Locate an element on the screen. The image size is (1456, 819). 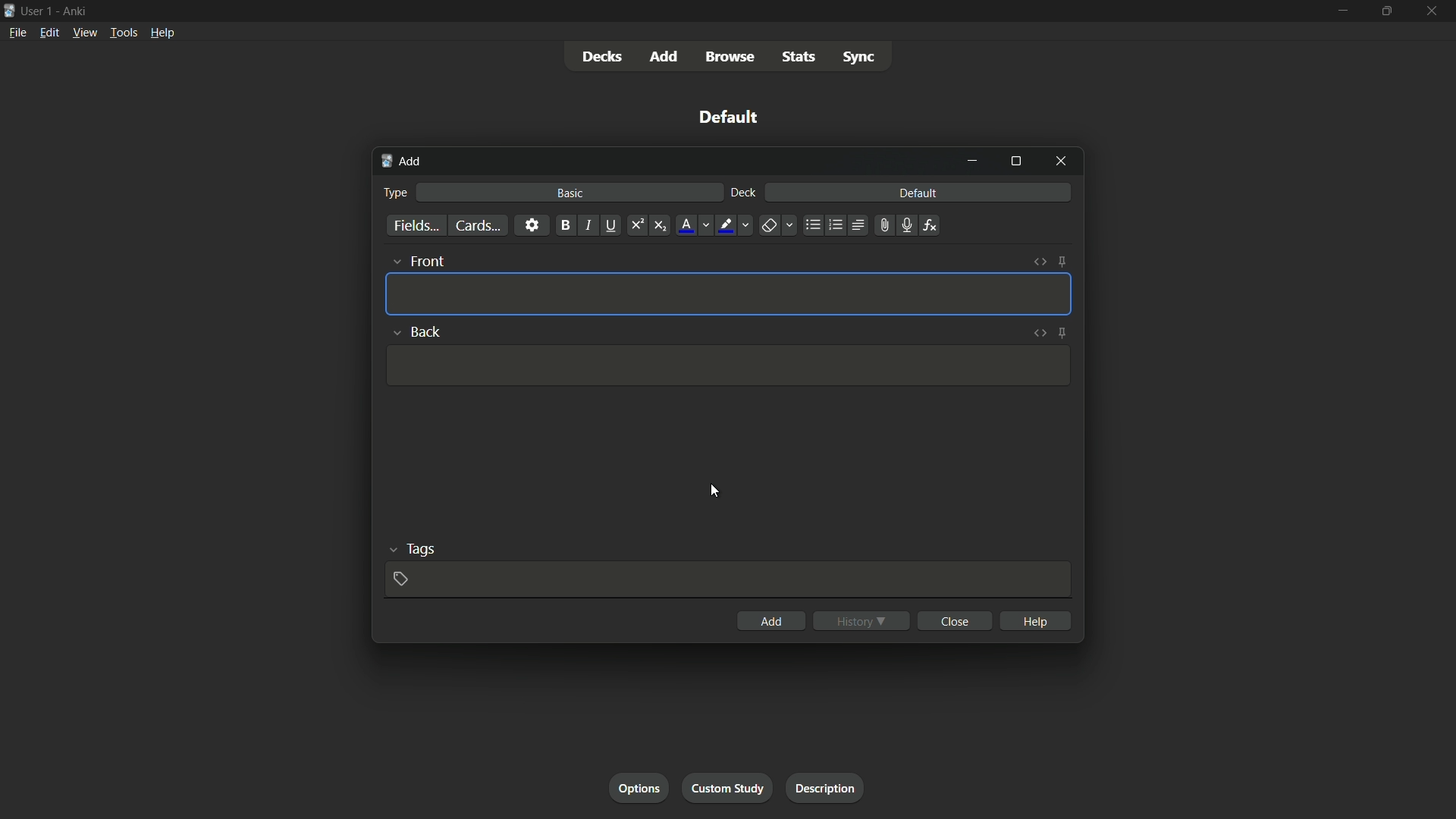
decks is located at coordinates (604, 55).